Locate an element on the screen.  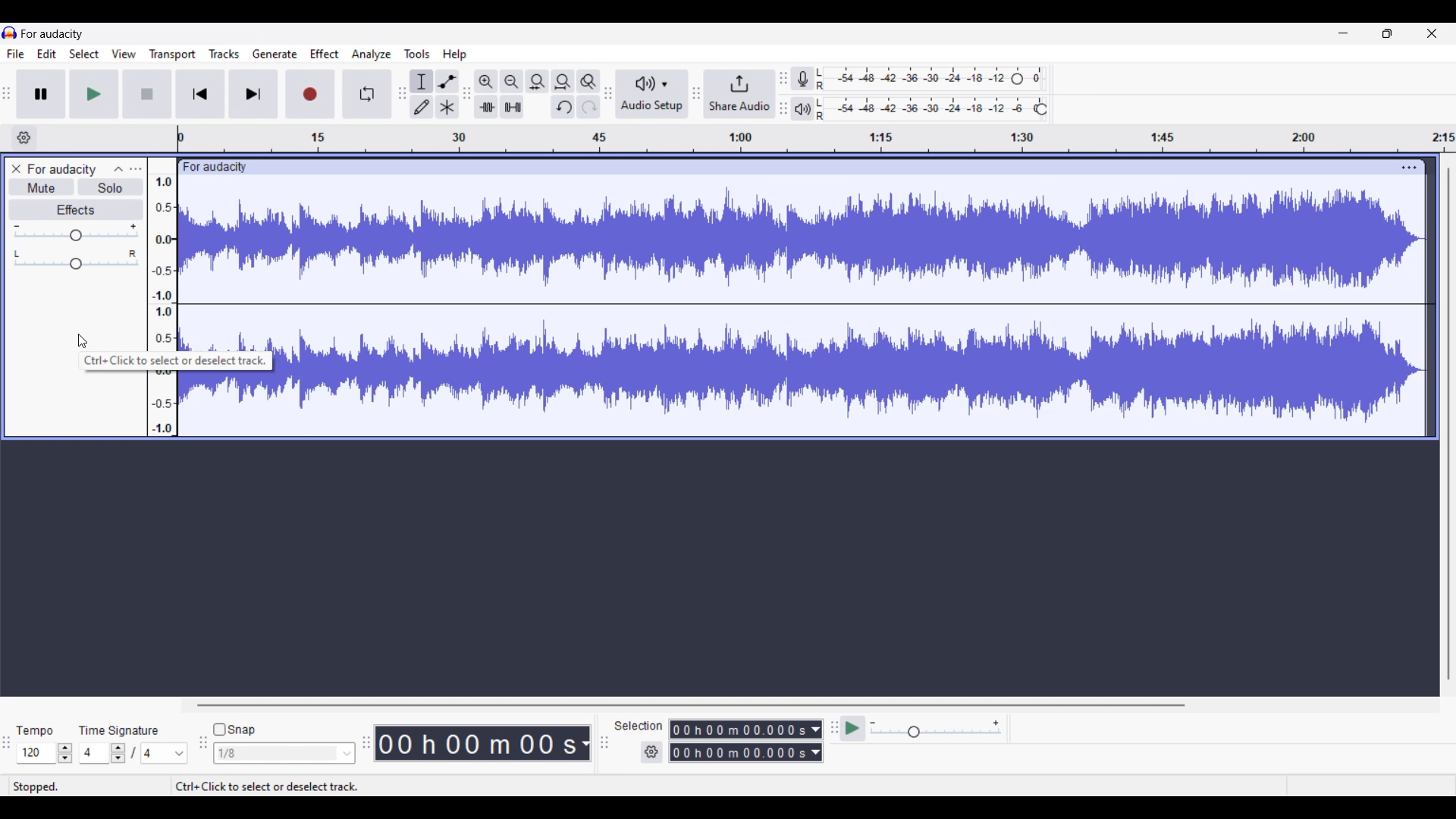
Pan slider is located at coordinates (76, 260).